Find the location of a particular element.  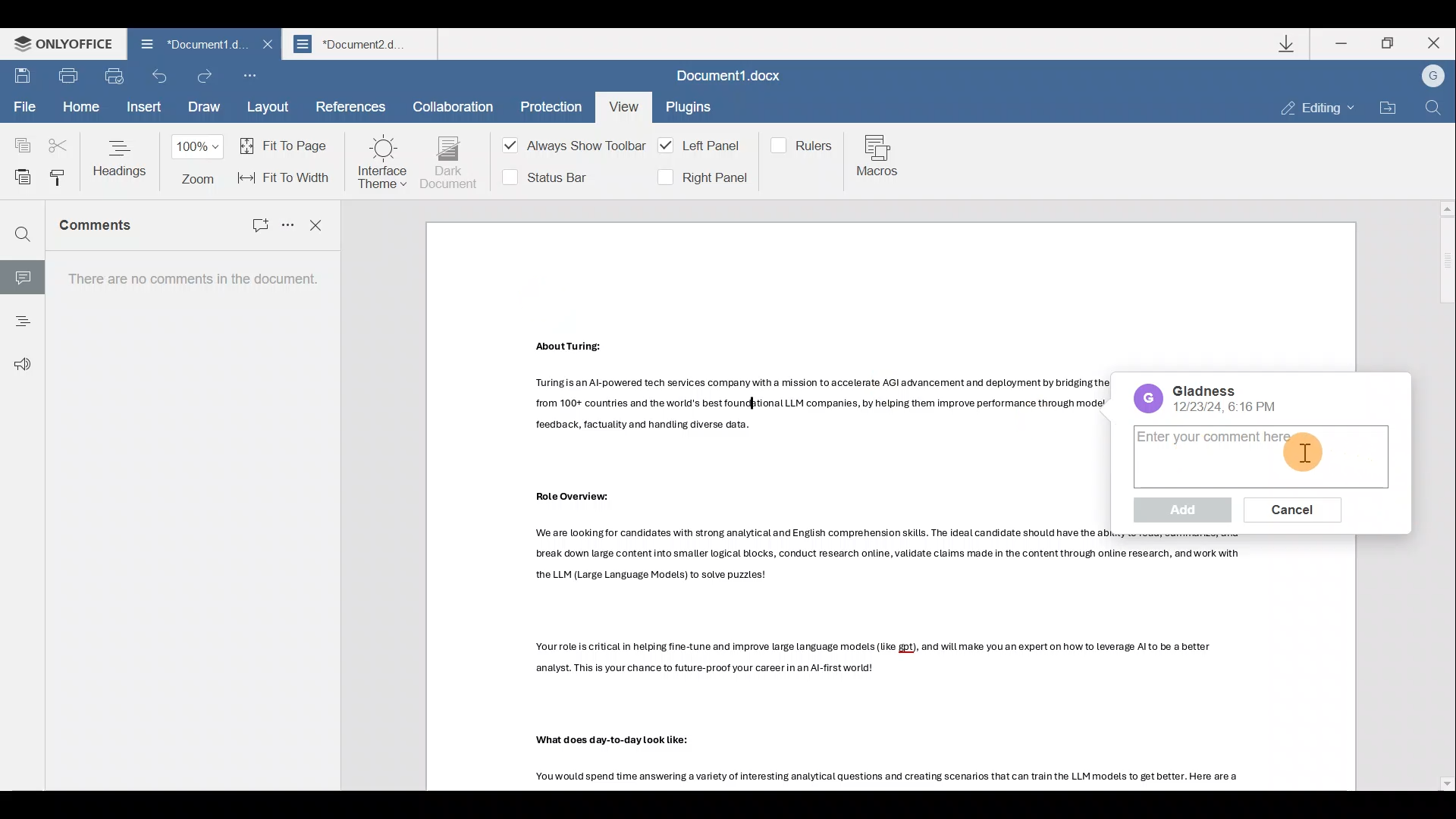

Close is located at coordinates (265, 49).